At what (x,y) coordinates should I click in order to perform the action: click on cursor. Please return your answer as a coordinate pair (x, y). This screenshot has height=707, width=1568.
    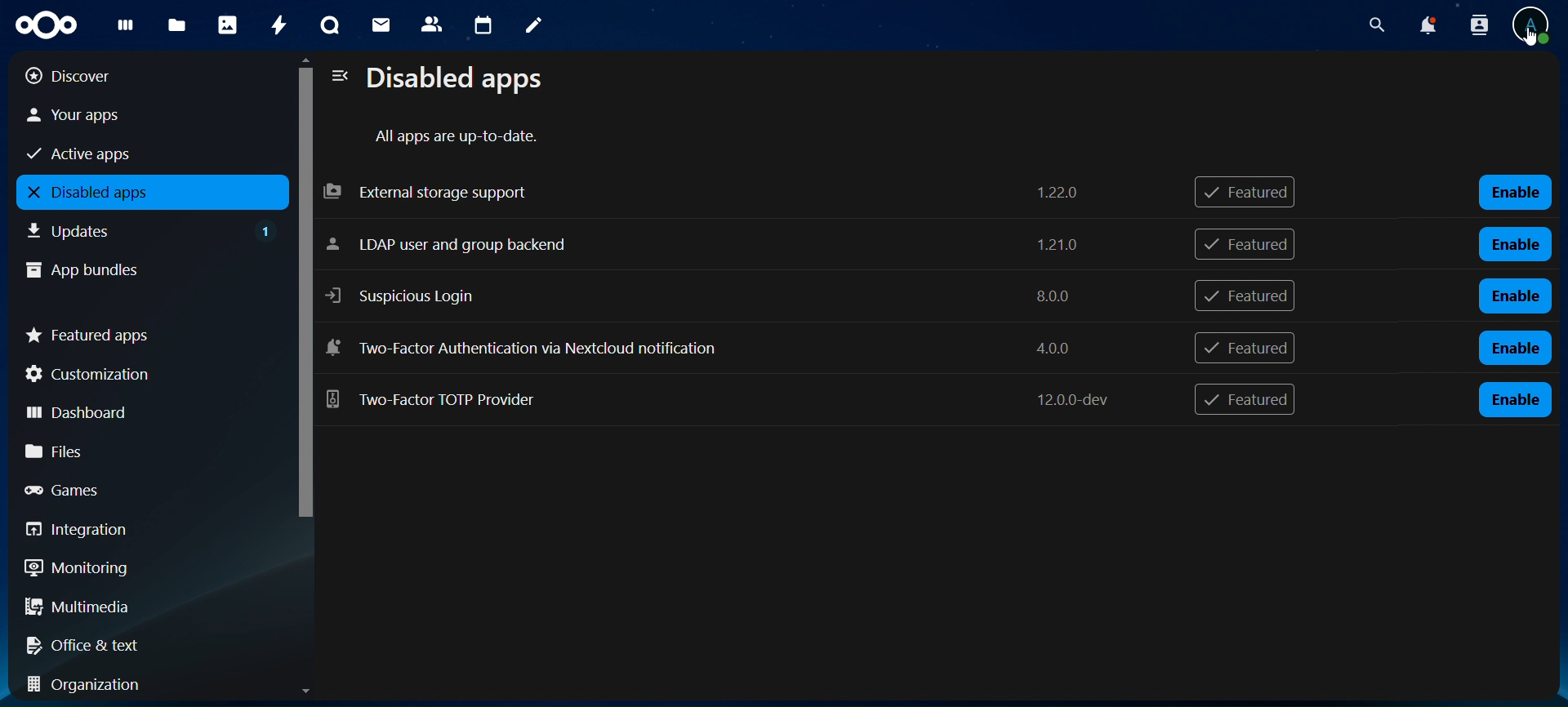
    Looking at the image, I should click on (1531, 40).